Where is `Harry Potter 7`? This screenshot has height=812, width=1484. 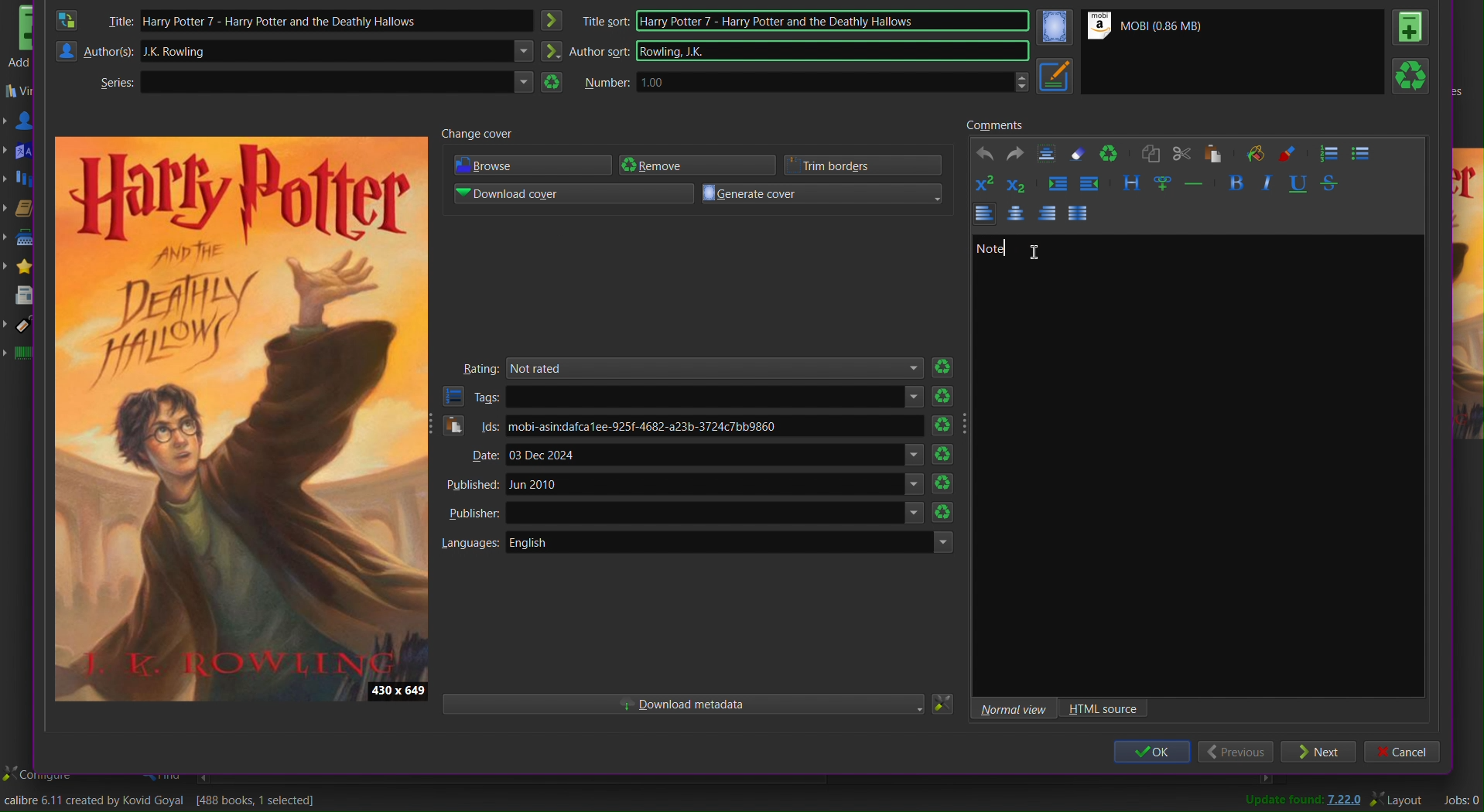
Harry Potter 7 is located at coordinates (832, 20).